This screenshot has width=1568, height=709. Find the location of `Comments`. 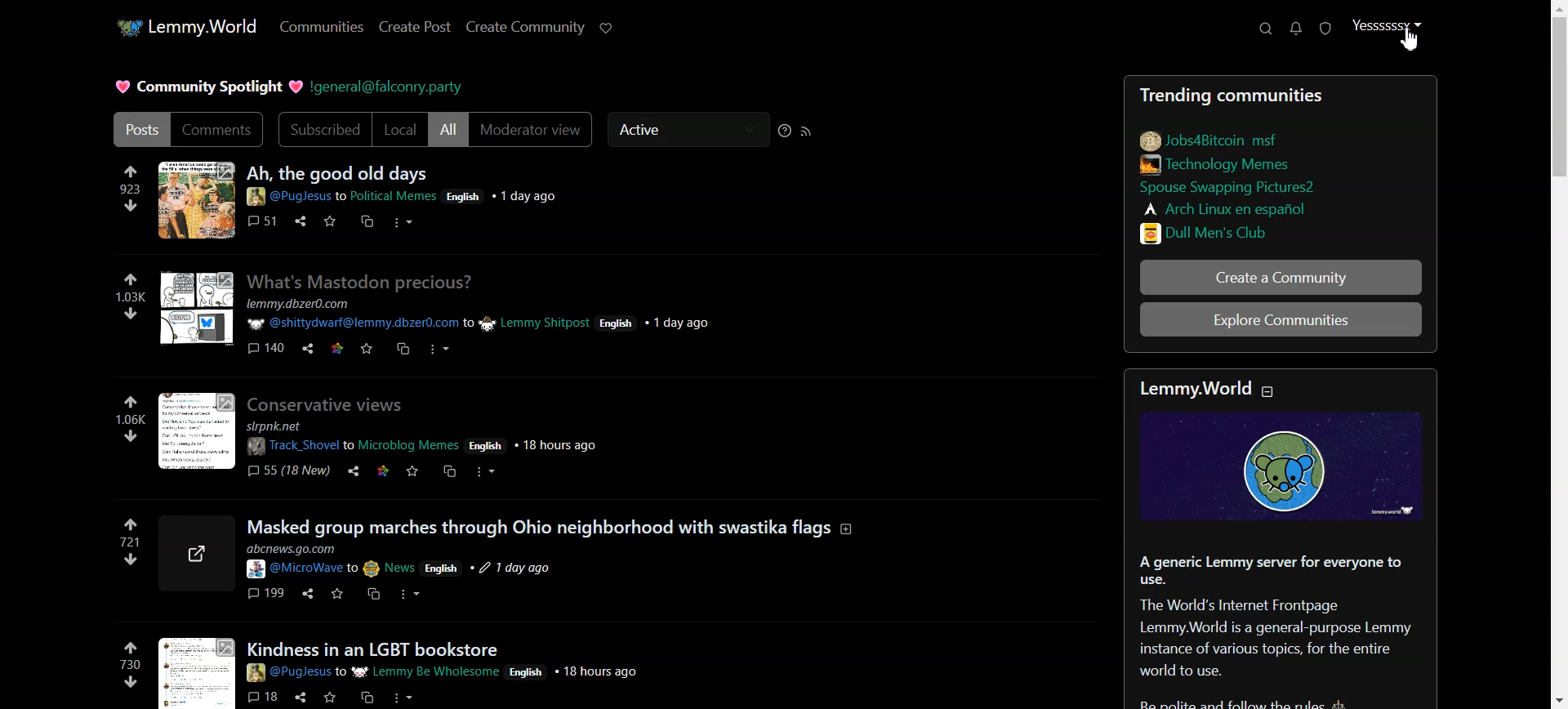

Comments is located at coordinates (218, 130).